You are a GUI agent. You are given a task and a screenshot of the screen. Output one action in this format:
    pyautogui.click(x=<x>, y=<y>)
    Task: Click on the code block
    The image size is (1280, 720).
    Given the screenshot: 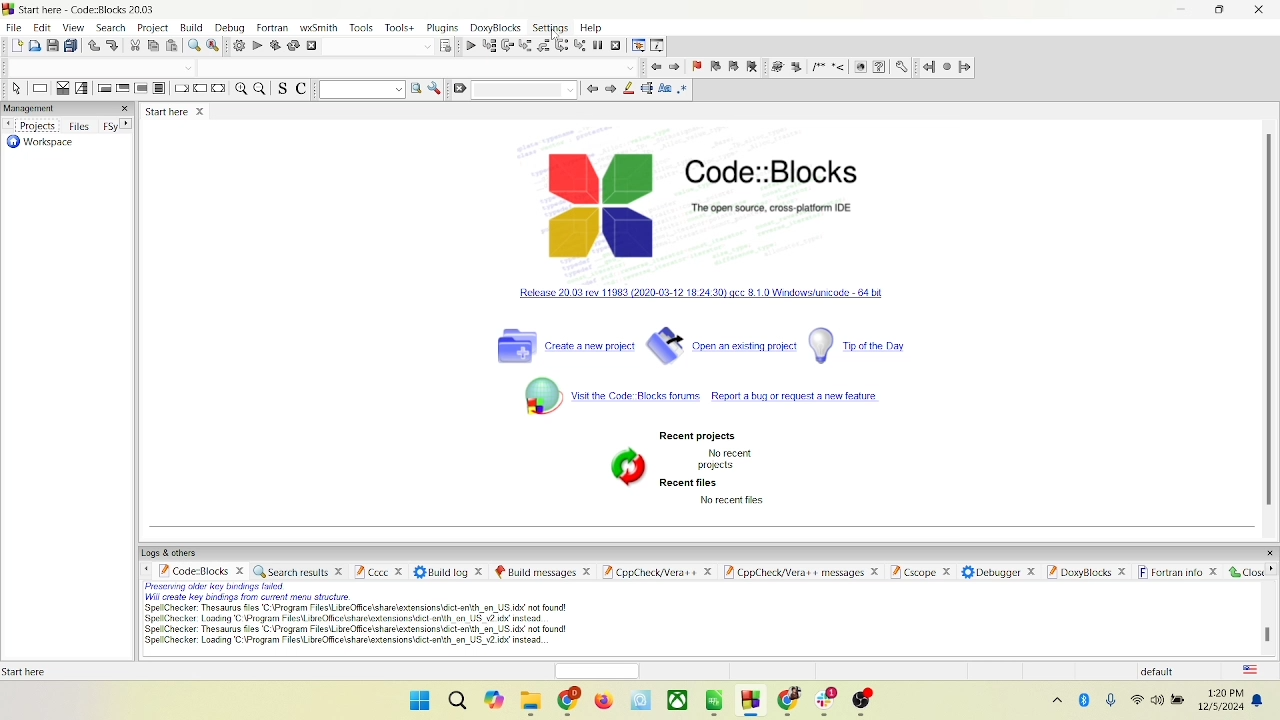 What is the action you would take?
    pyautogui.click(x=196, y=570)
    